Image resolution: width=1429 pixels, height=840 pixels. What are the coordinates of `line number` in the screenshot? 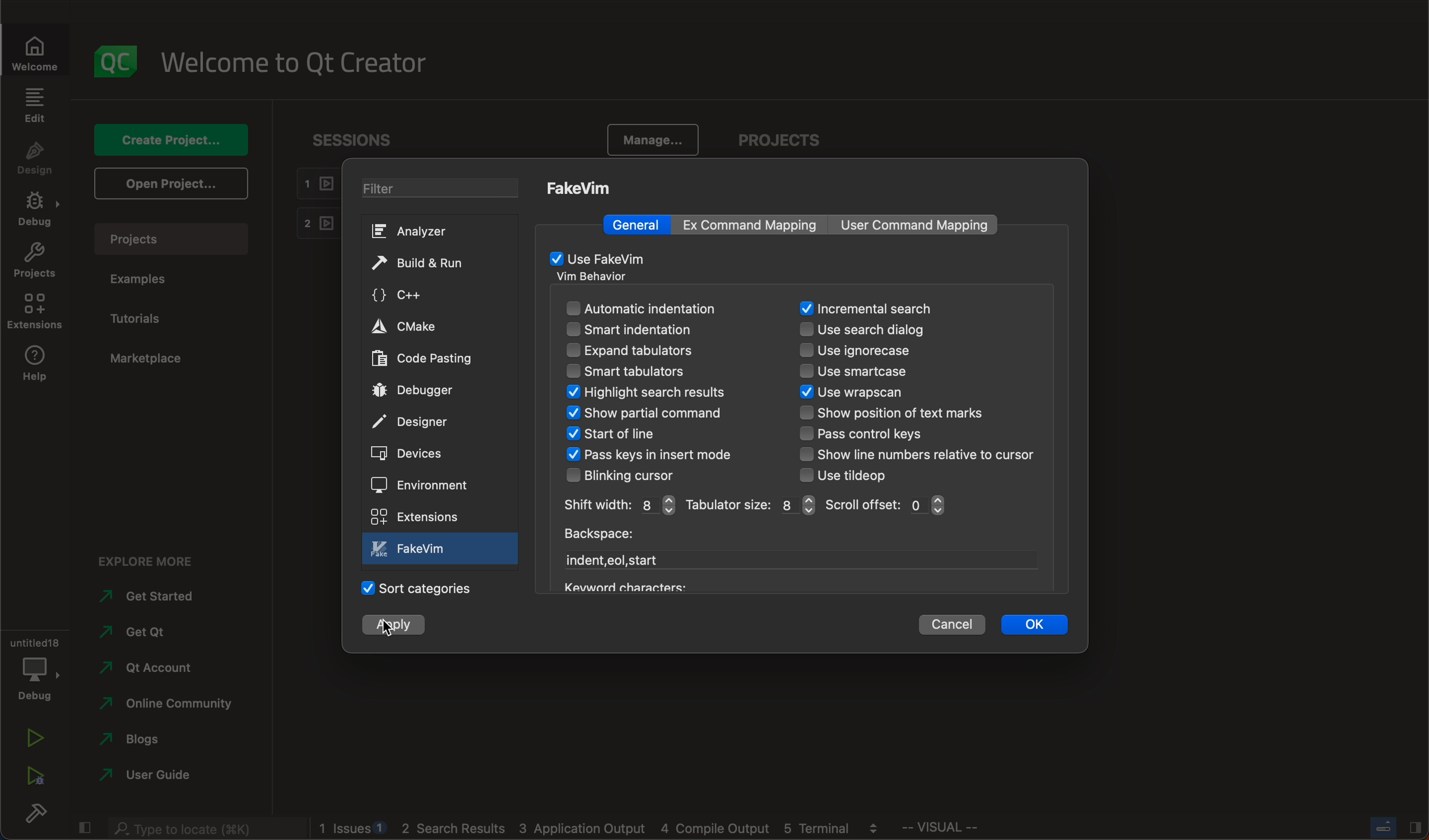 It's located at (919, 454).